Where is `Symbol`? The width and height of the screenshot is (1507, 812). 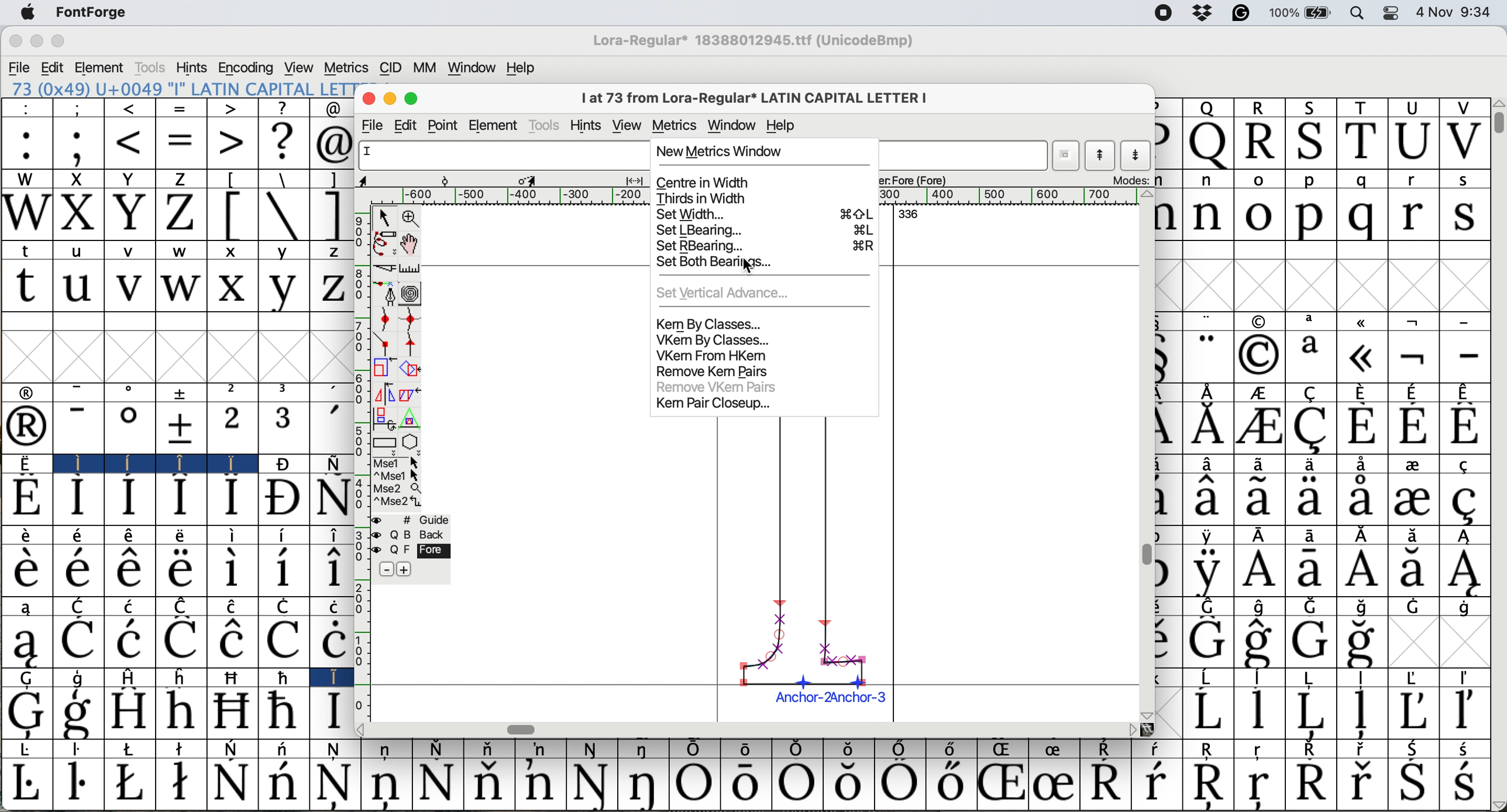
Symbol is located at coordinates (1363, 390).